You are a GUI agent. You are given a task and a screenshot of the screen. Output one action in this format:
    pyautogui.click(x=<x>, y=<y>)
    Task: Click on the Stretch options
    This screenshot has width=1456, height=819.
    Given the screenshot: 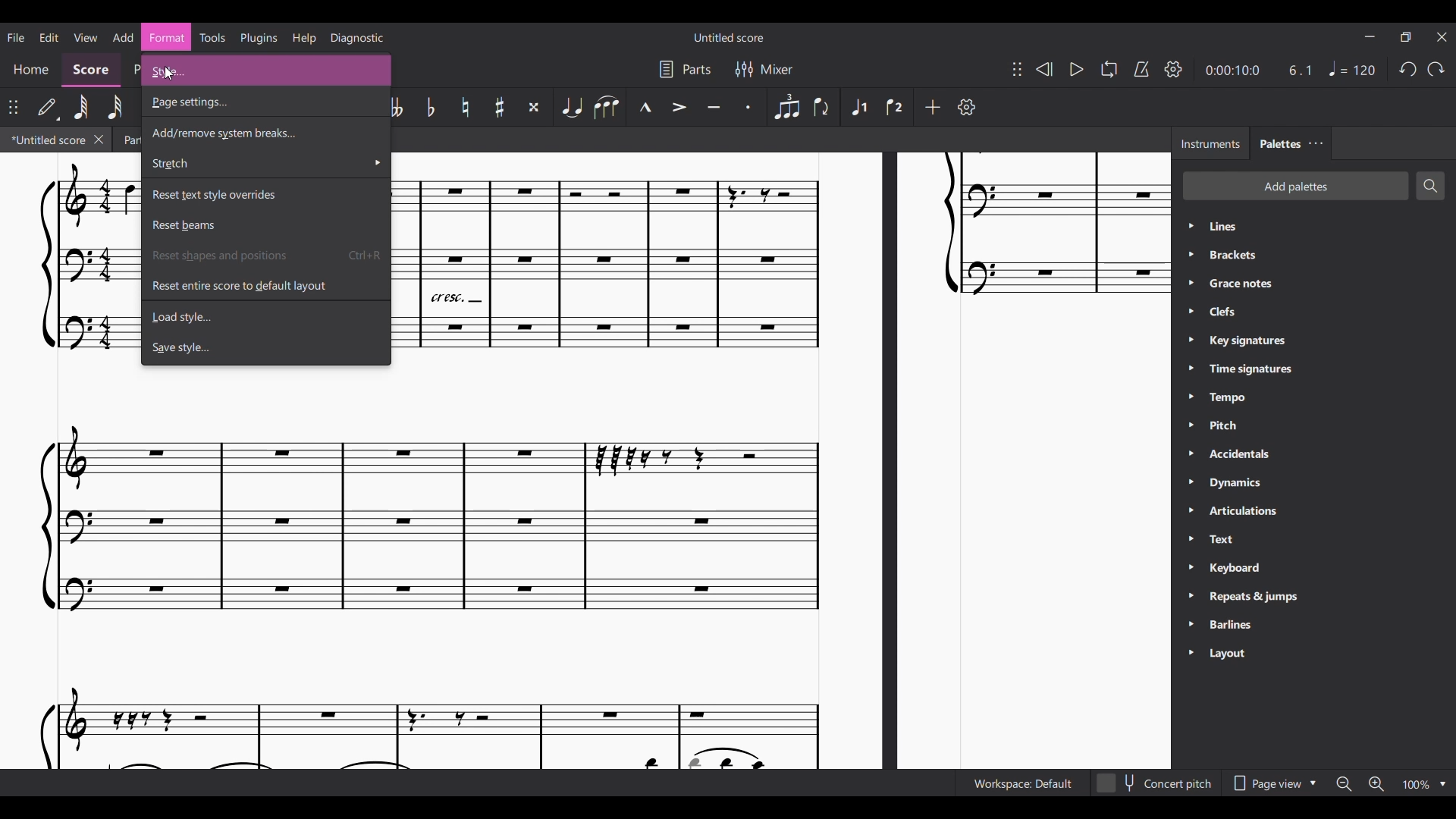 What is the action you would take?
    pyautogui.click(x=265, y=164)
    